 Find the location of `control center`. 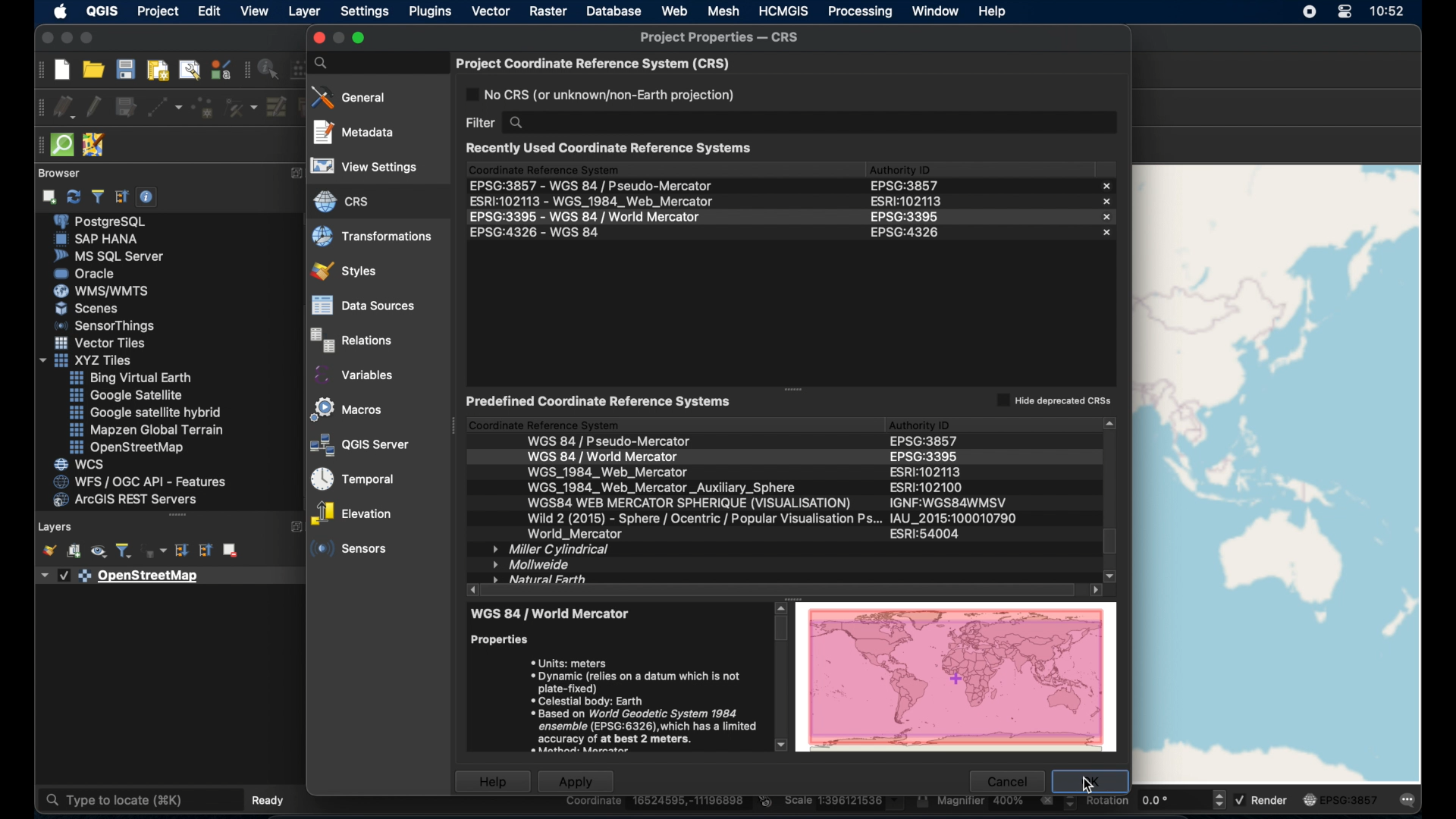

control center is located at coordinates (1345, 14).